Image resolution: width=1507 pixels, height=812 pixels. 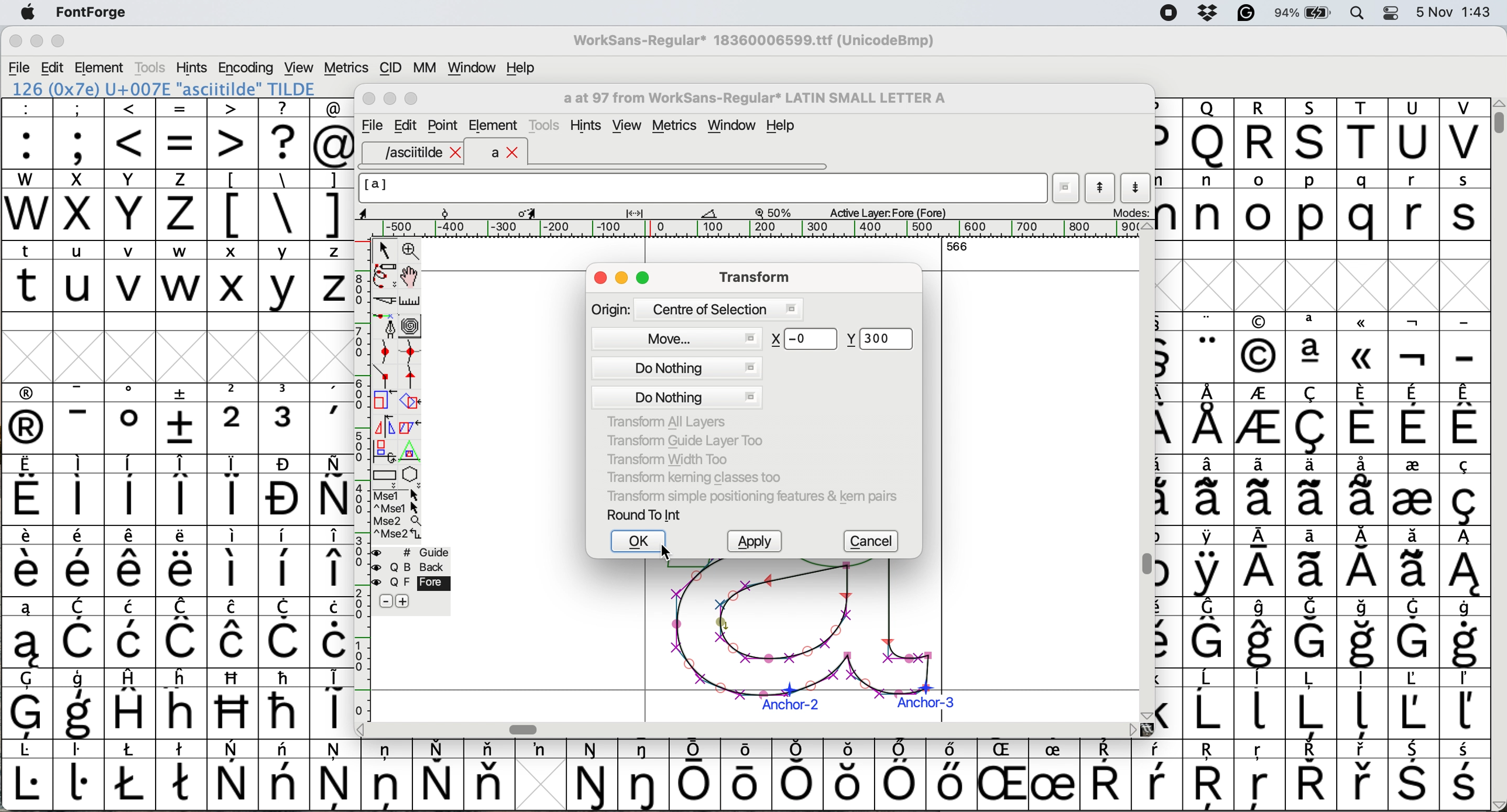 What do you see at coordinates (282, 277) in the screenshot?
I see `y` at bounding box center [282, 277].